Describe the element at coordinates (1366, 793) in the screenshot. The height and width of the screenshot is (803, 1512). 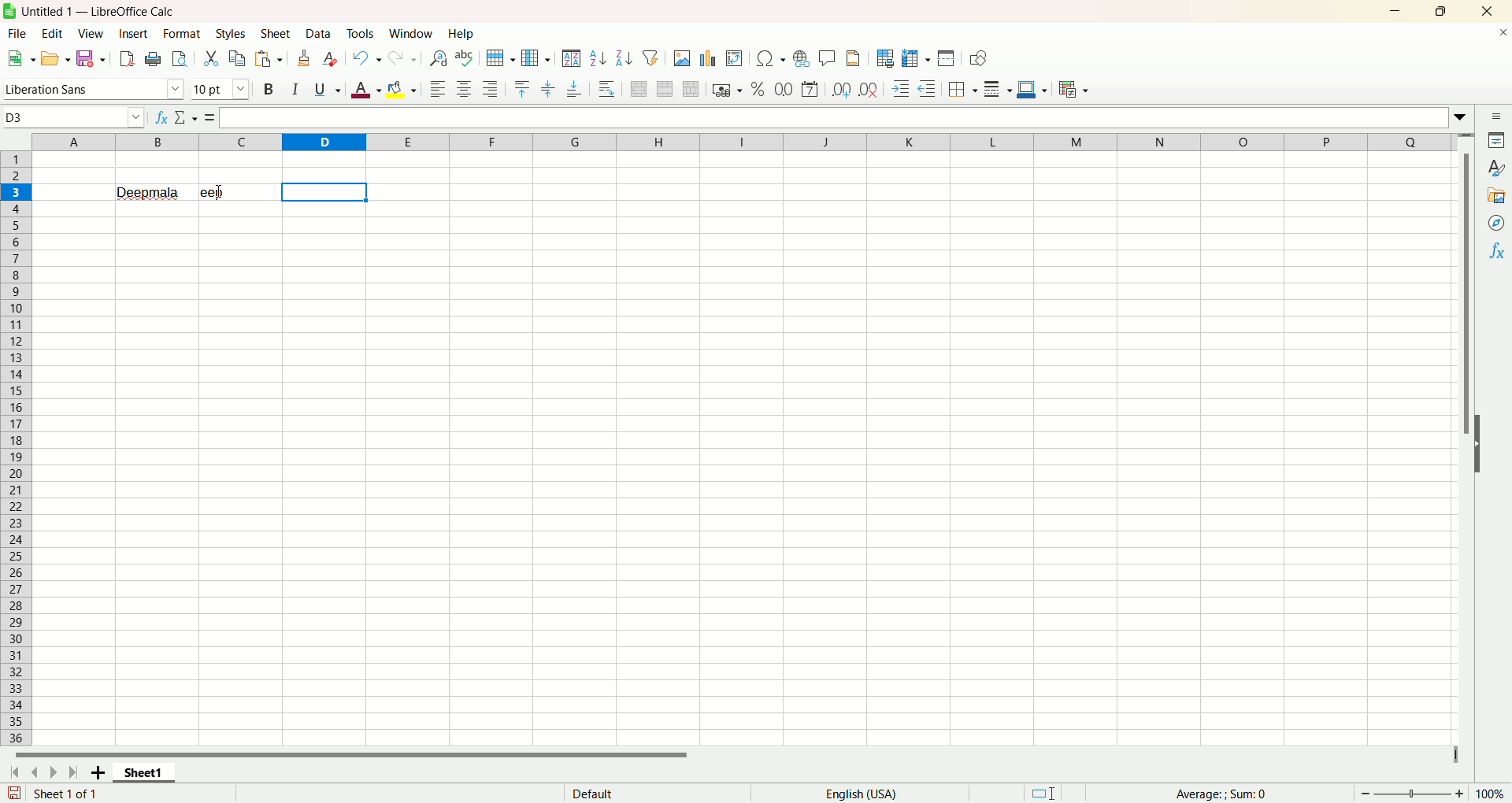
I see `zoom out` at that location.